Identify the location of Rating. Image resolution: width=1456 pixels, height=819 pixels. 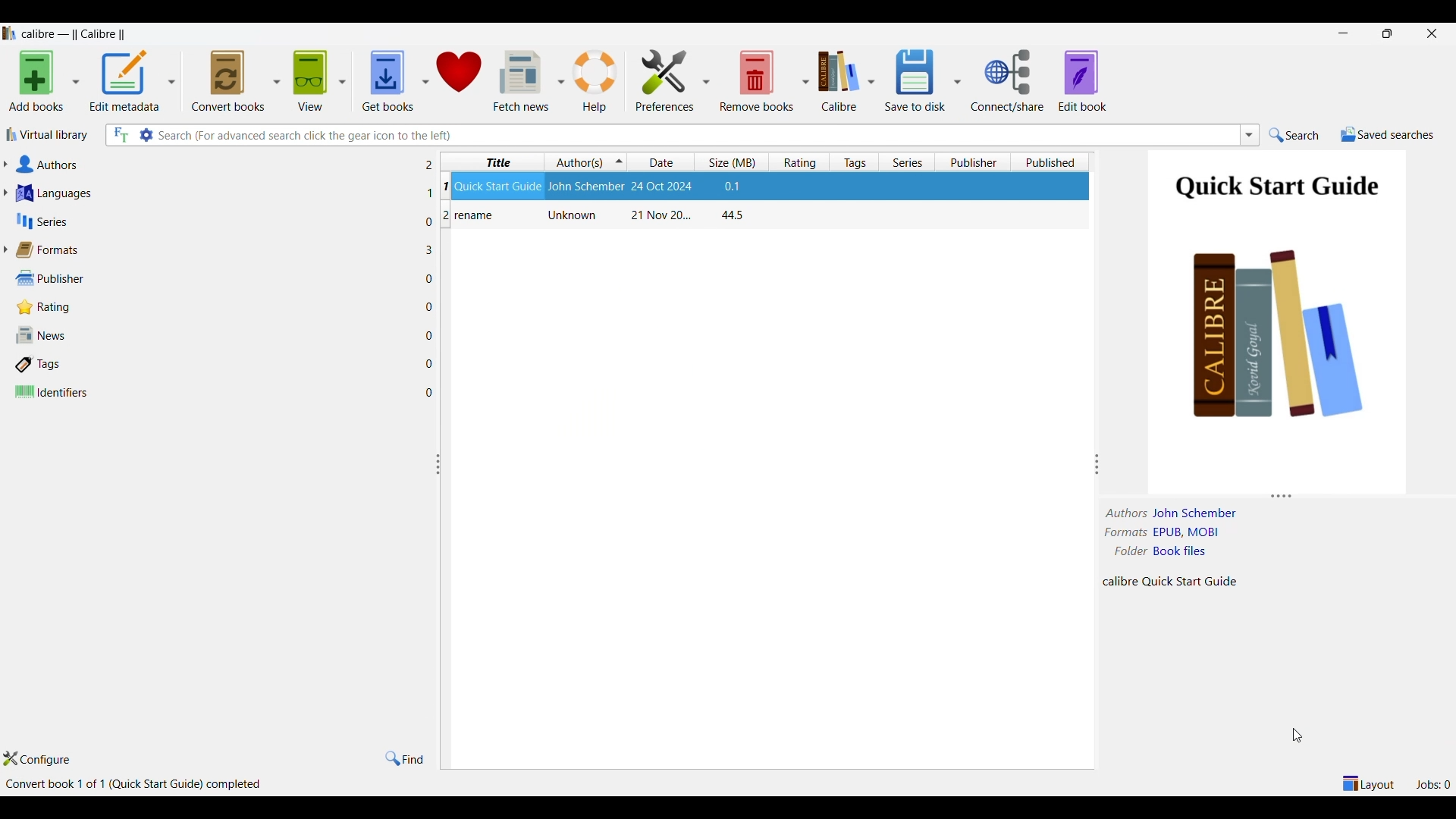
(218, 308).